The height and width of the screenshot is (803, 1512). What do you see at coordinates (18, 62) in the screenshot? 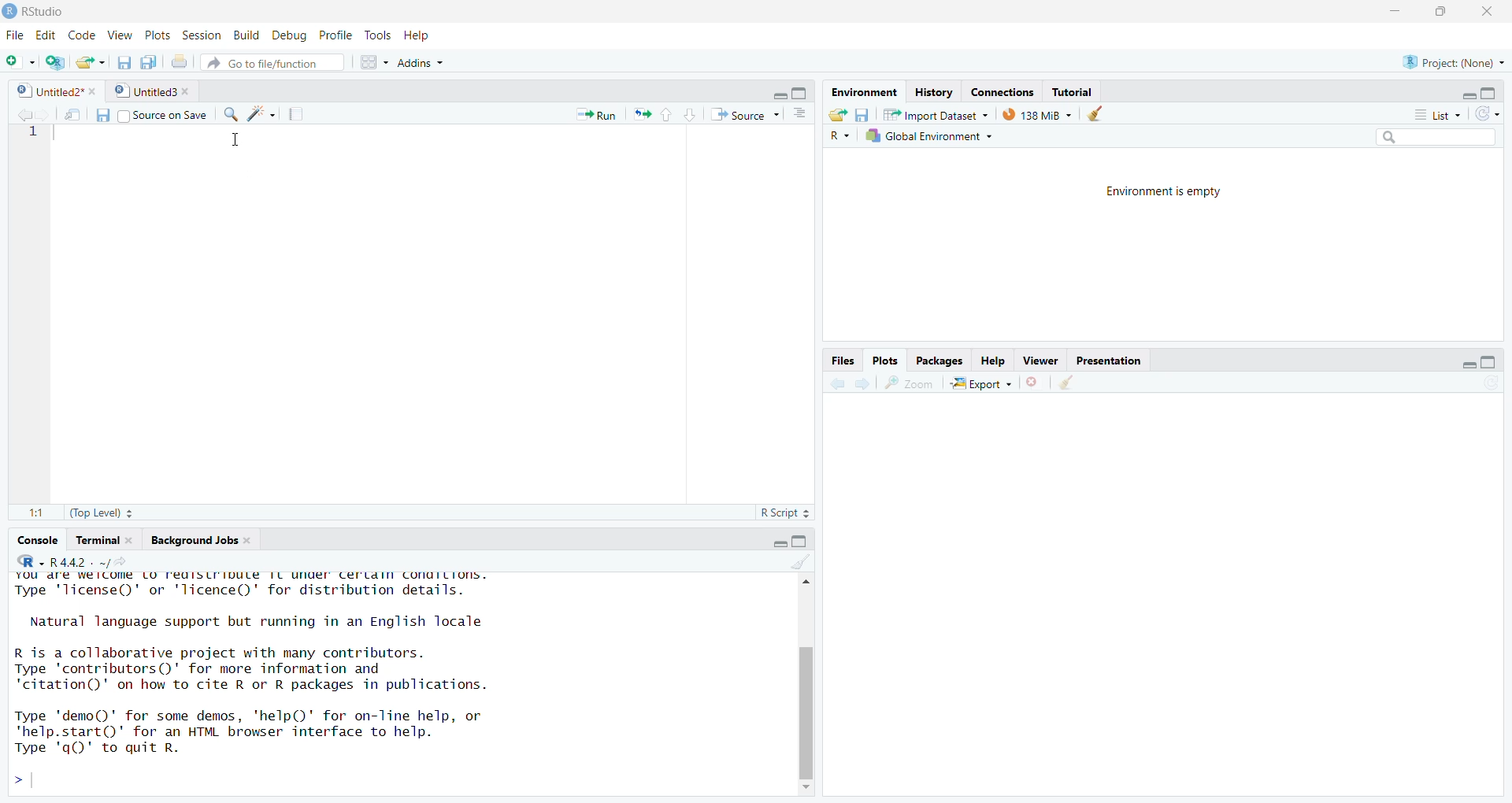
I see `New File` at bounding box center [18, 62].